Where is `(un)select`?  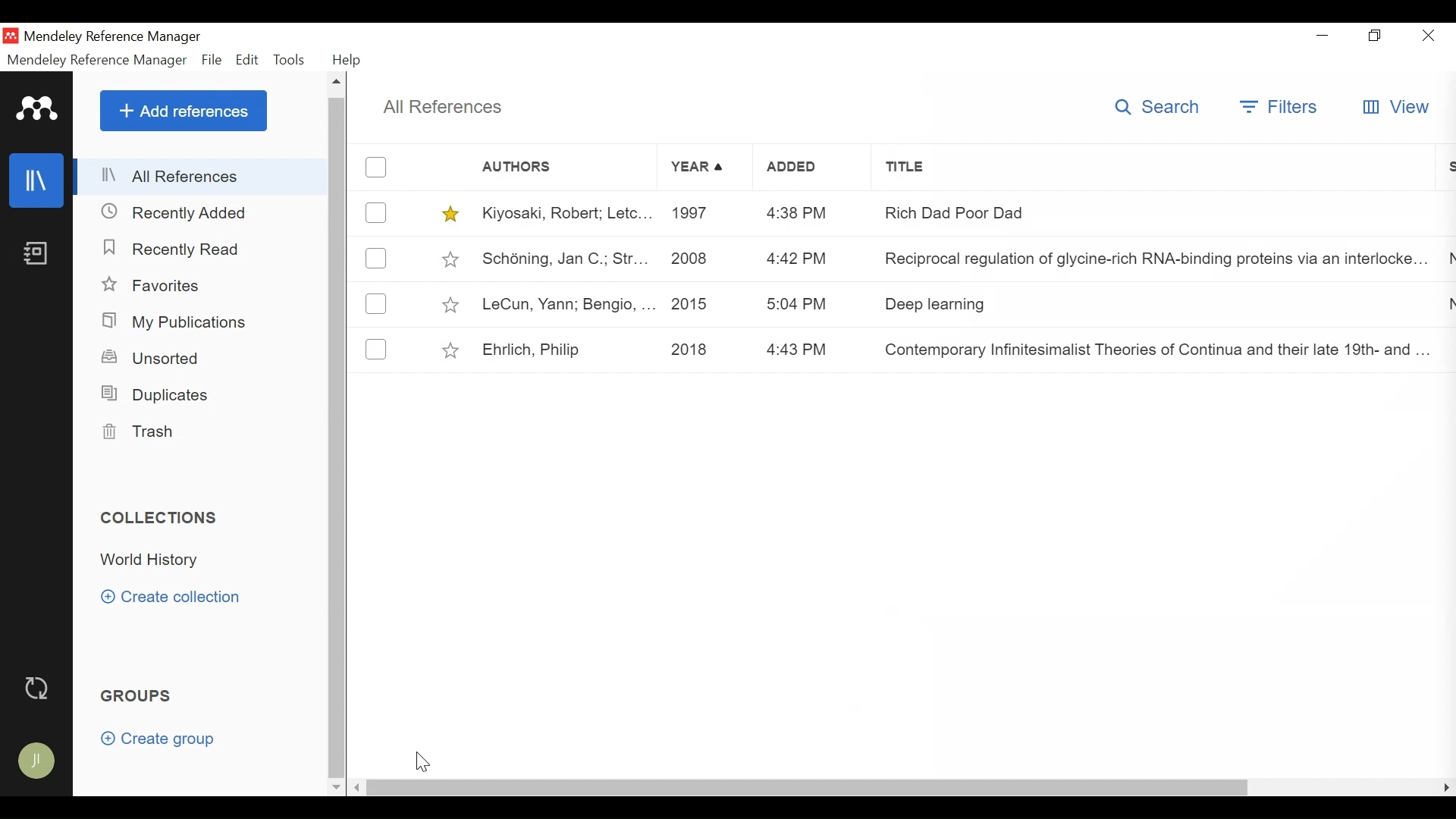
(un)select is located at coordinates (375, 213).